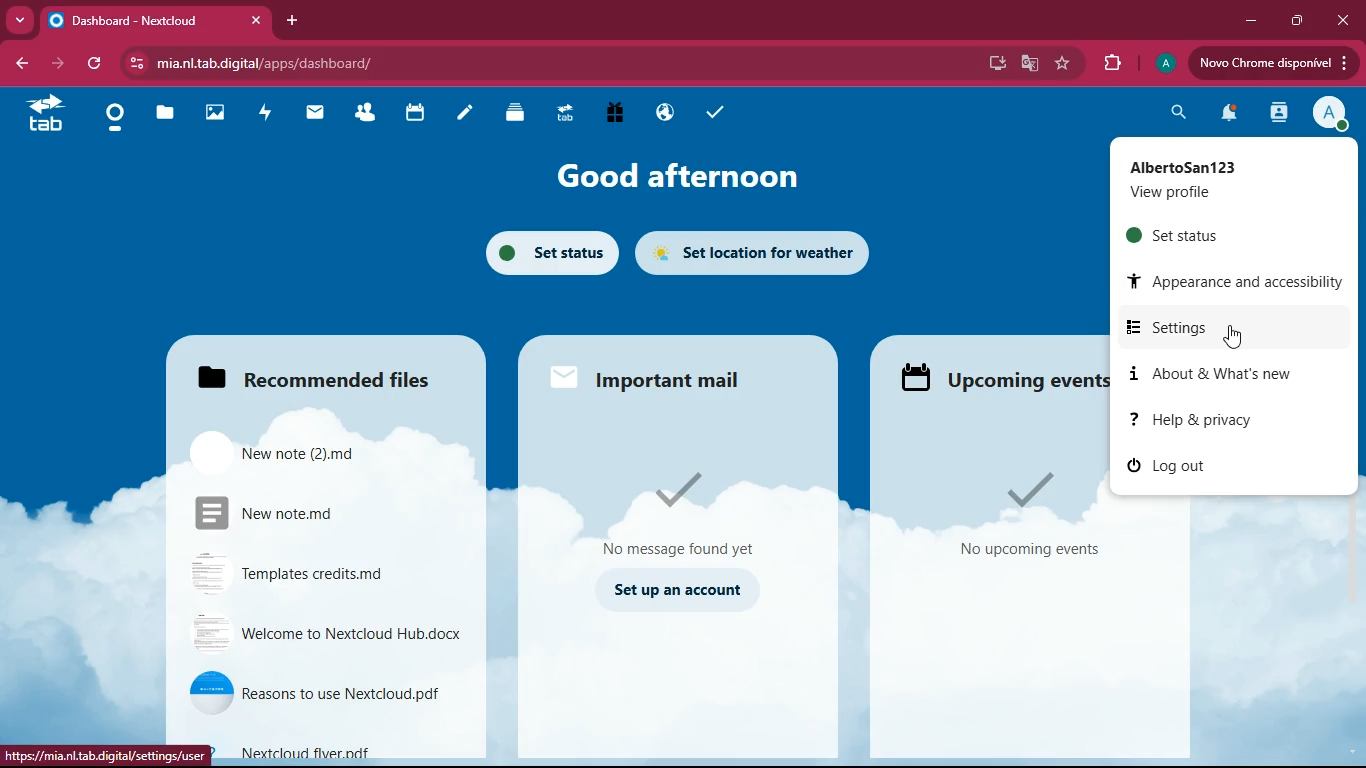 This screenshot has width=1366, height=768. I want to click on good afternoon, so click(709, 178).